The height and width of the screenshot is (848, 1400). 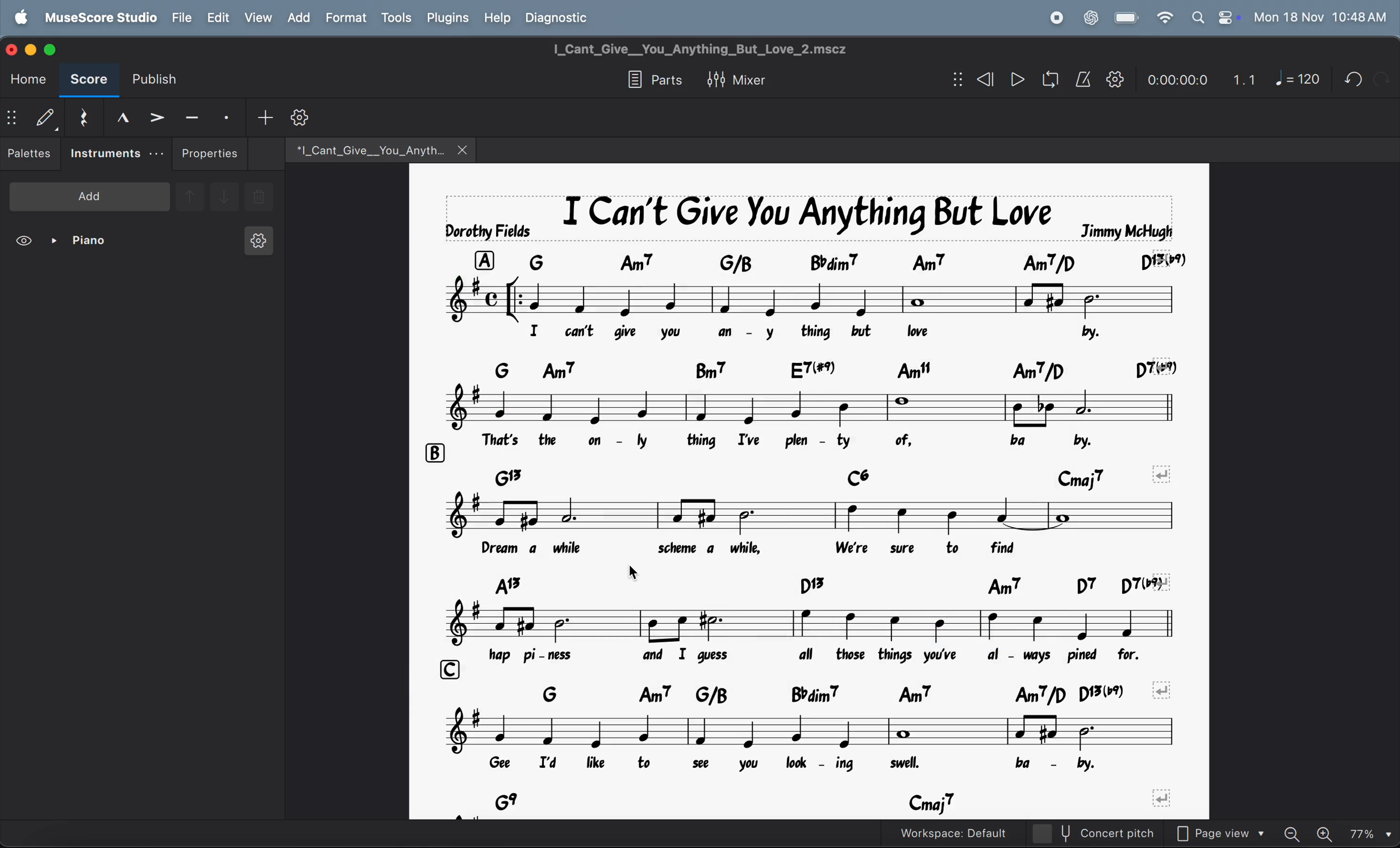 I want to click on tenuto, so click(x=192, y=115).